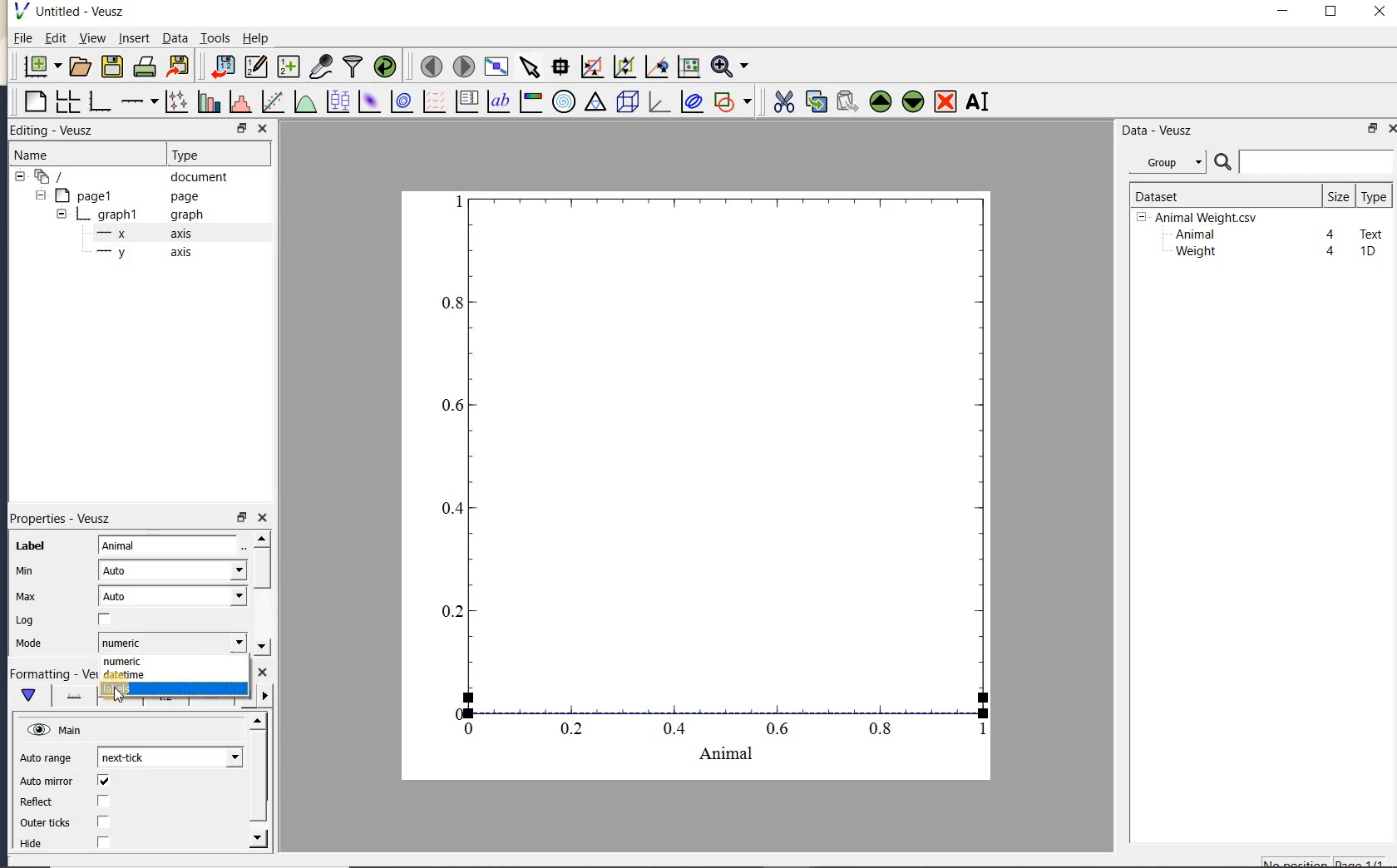 The height and width of the screenshot is (868, 1397). What do you see at coordinates (814, 101) in the screenshot?
I see `copy the selected widget` at bounding box center [814, 101].